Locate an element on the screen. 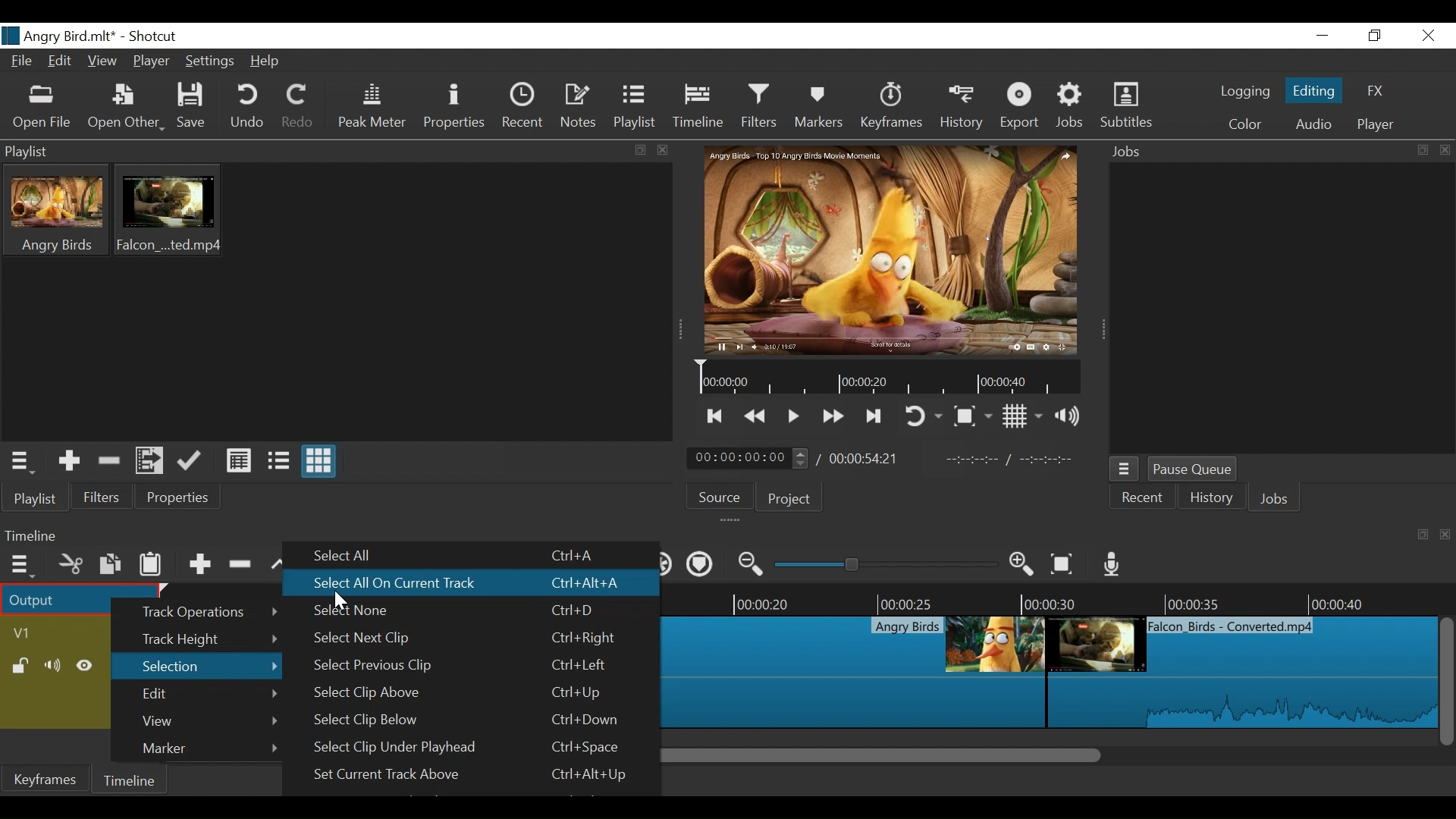  Show volume control is located at coordinates (1068, 418).